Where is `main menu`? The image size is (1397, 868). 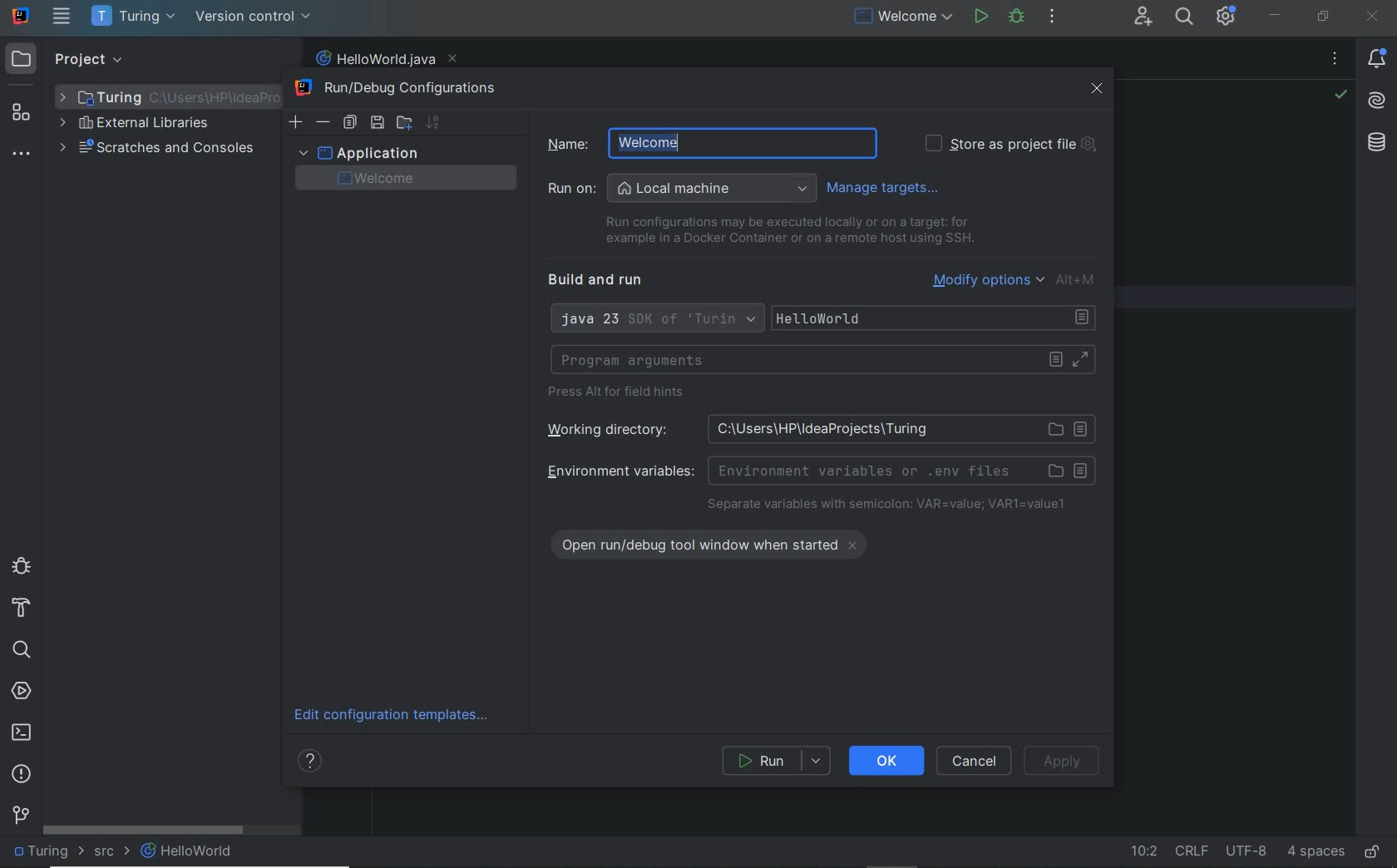
main menu is located at coordinates (62, 16).